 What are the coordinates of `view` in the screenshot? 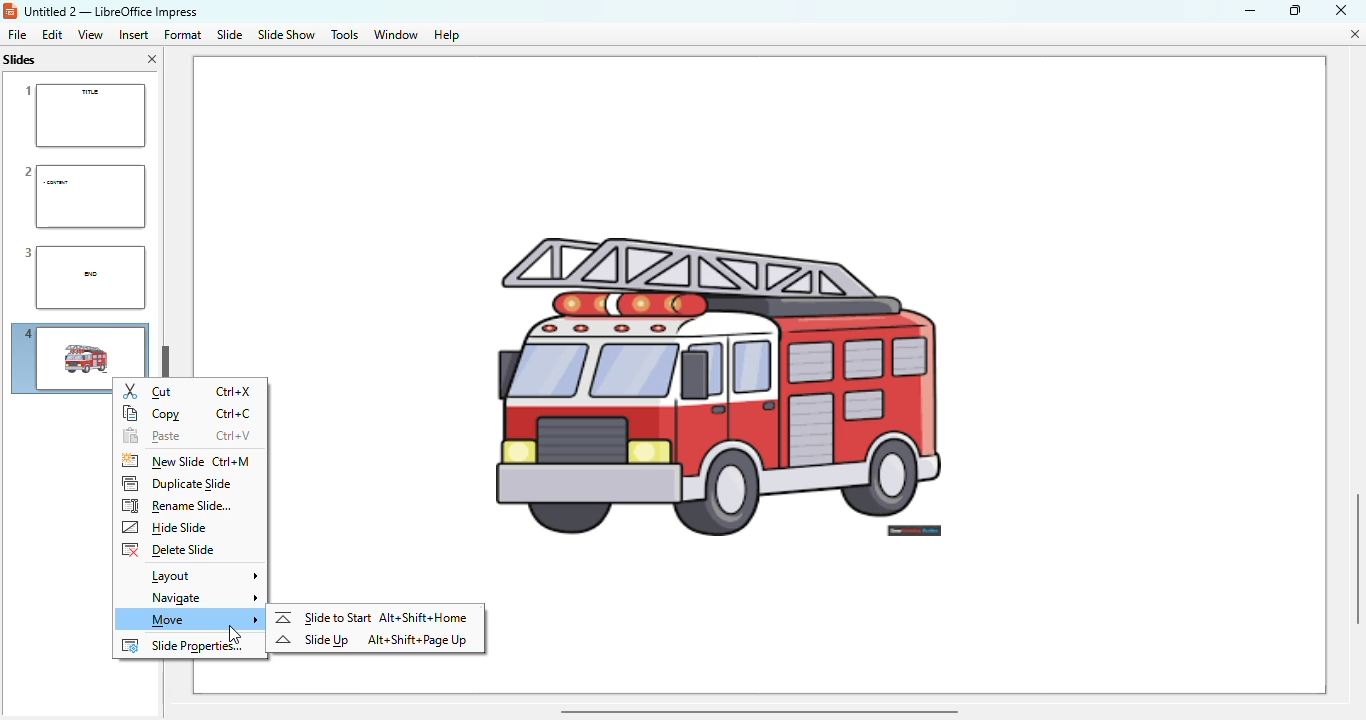 It's located at (90, 34).